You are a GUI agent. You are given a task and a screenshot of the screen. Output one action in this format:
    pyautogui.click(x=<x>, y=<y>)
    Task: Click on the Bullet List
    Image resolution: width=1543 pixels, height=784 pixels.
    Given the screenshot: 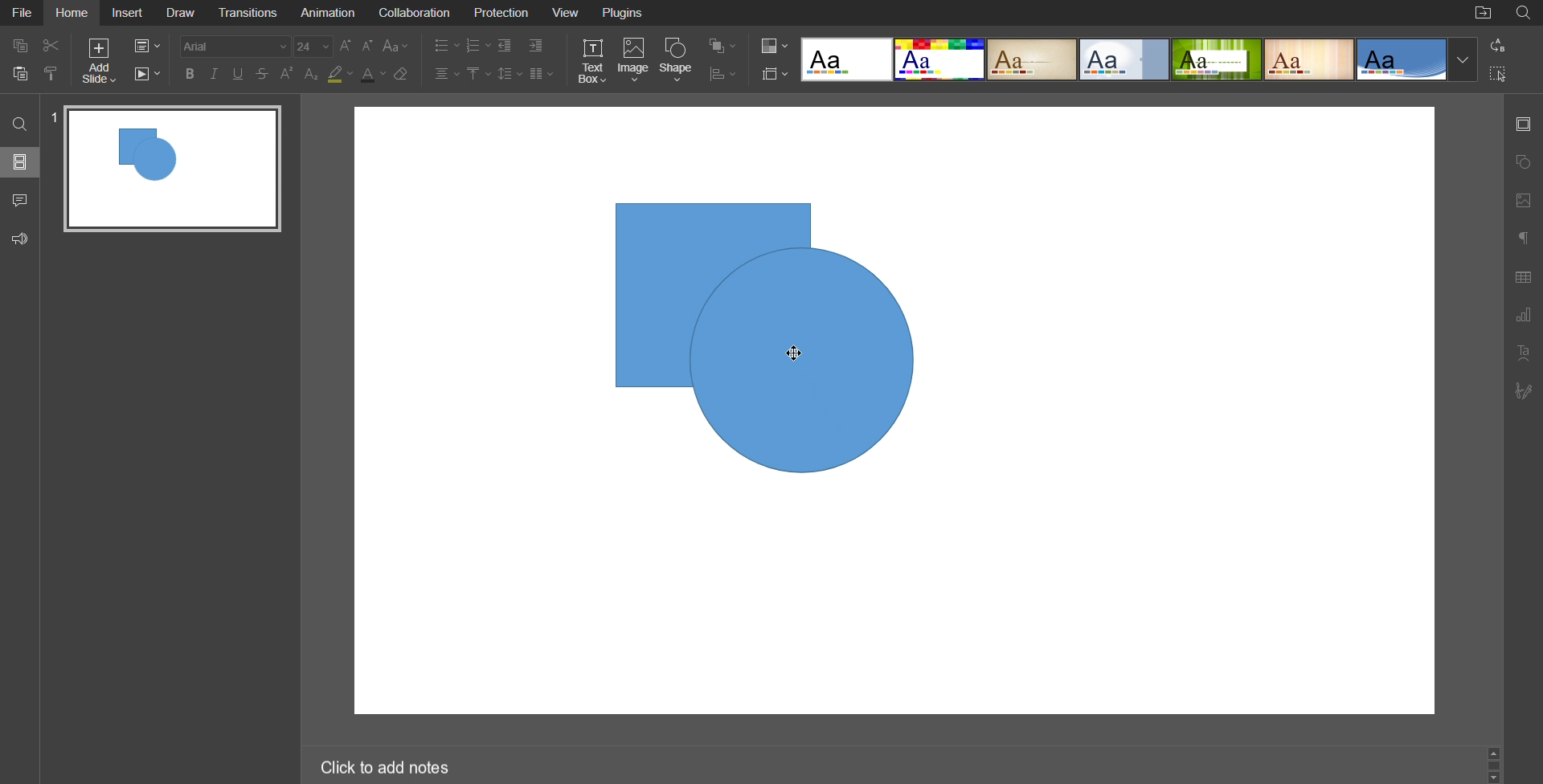 What is the action you would take?
    pyautogui.click(x=446, y=45)
    